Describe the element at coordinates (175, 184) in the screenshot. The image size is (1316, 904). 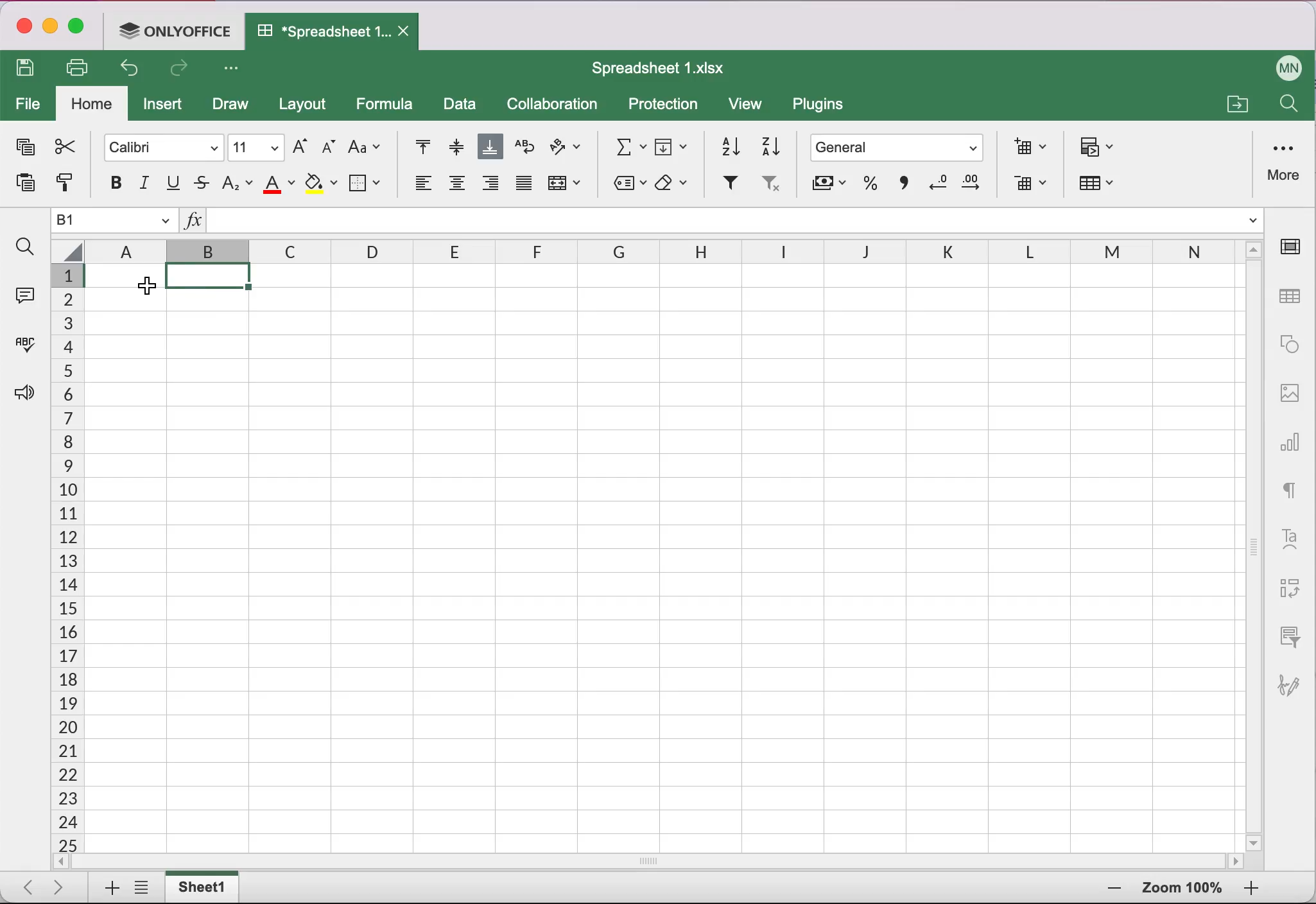
I see `underline` at that location.